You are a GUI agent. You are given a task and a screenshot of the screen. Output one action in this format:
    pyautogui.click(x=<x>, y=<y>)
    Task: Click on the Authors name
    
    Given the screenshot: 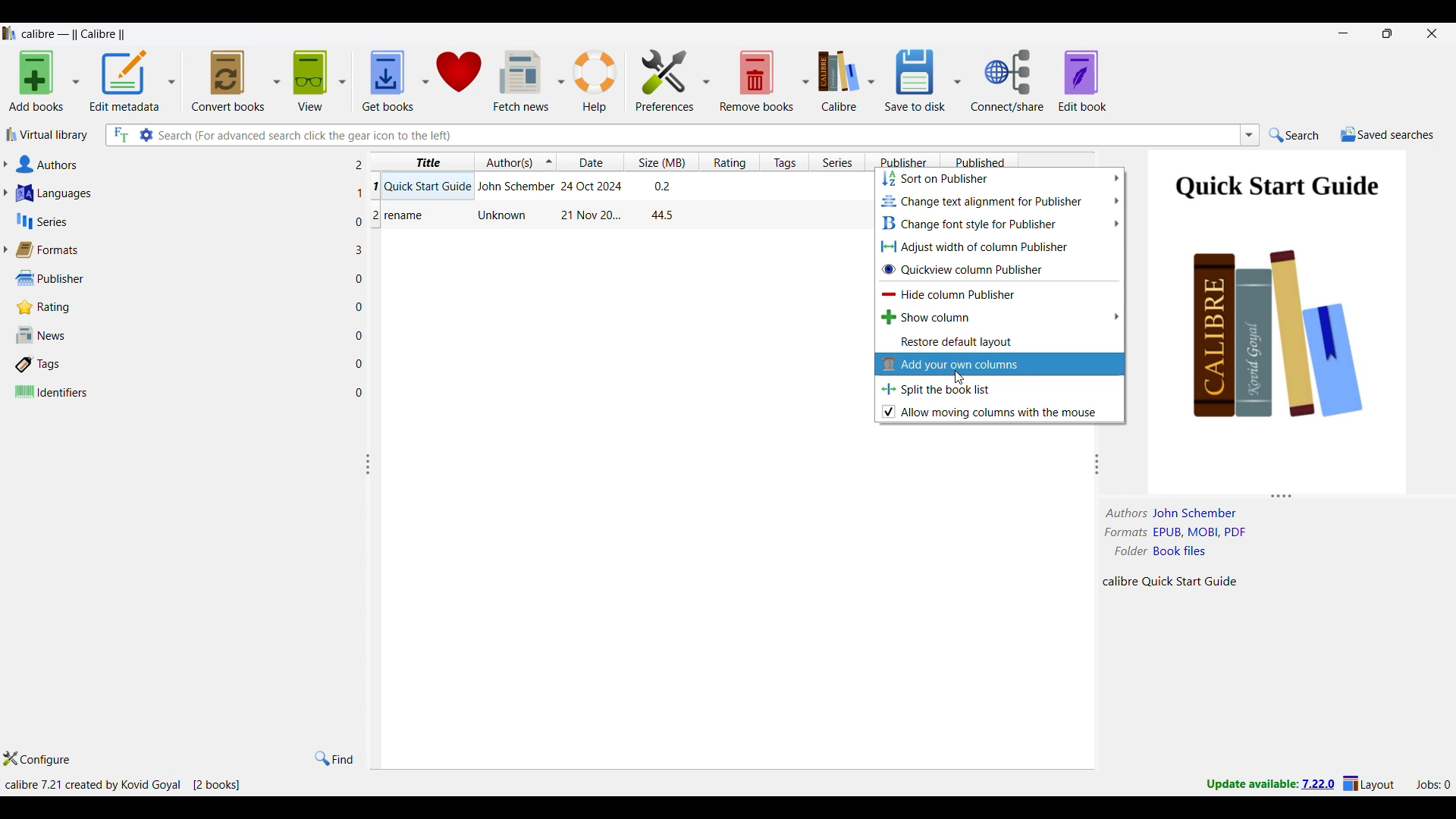 What is the action you would take?
    pyautogui.click(x=1178, y=513)
    